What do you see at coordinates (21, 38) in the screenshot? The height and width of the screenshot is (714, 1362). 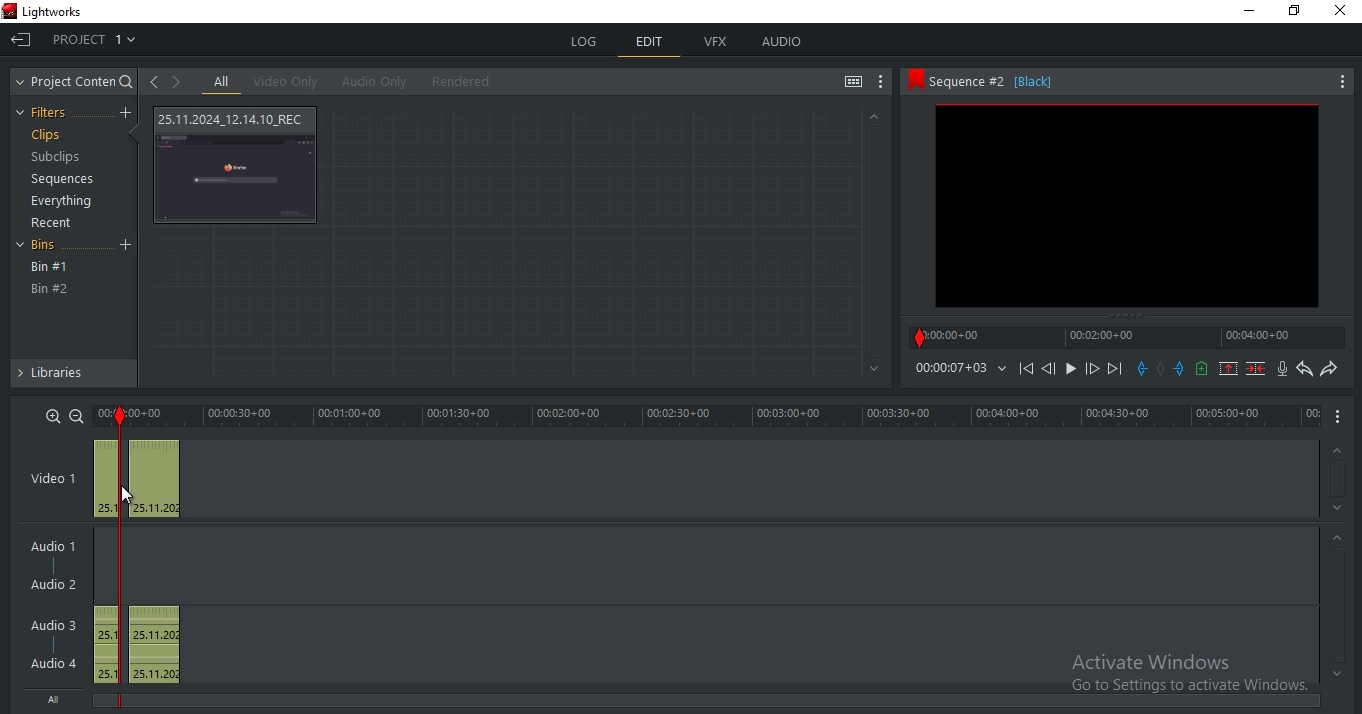 I see `Exit` at bounding box center [21, 38].